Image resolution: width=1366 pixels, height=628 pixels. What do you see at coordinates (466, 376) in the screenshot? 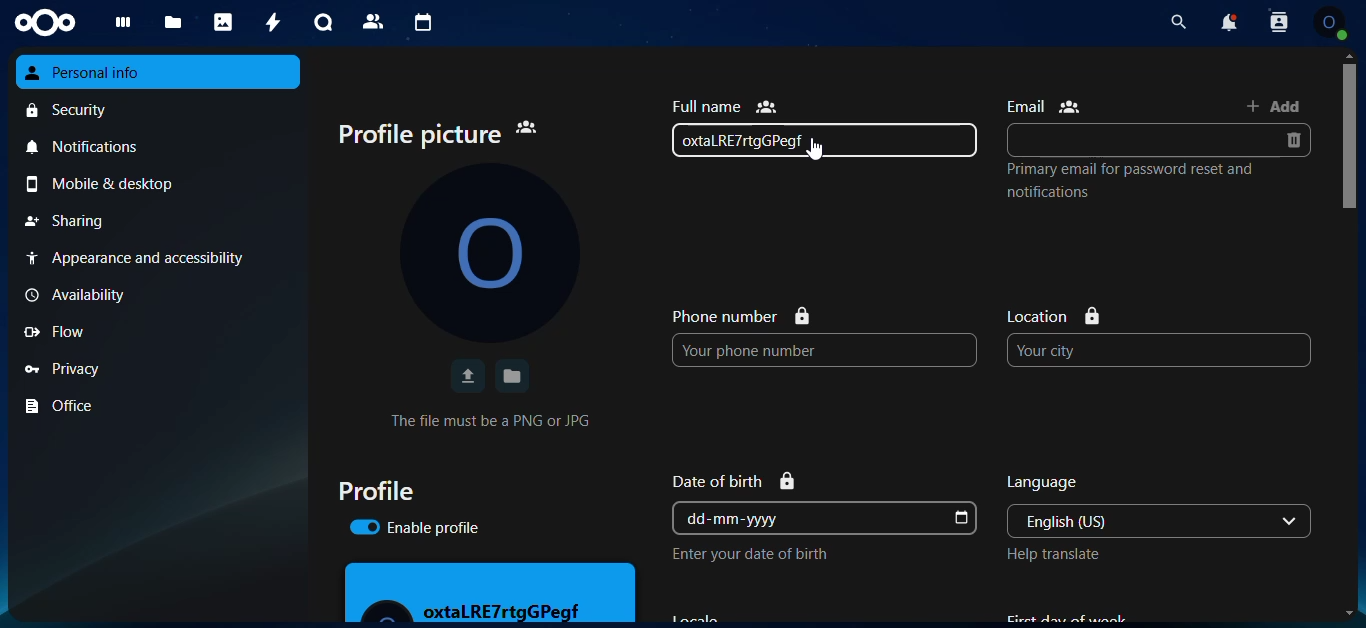
I see `upload` at bounding box center [466, 376].